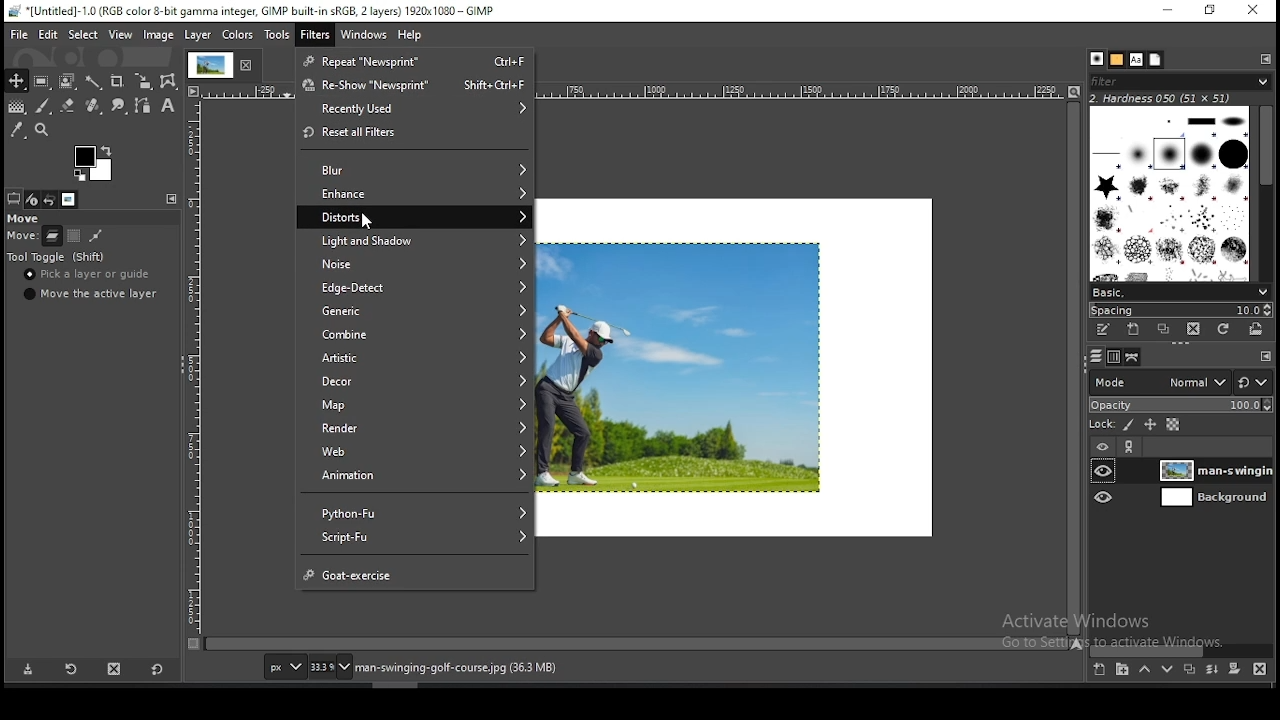  I want to click on move tool, so click(16, 81).